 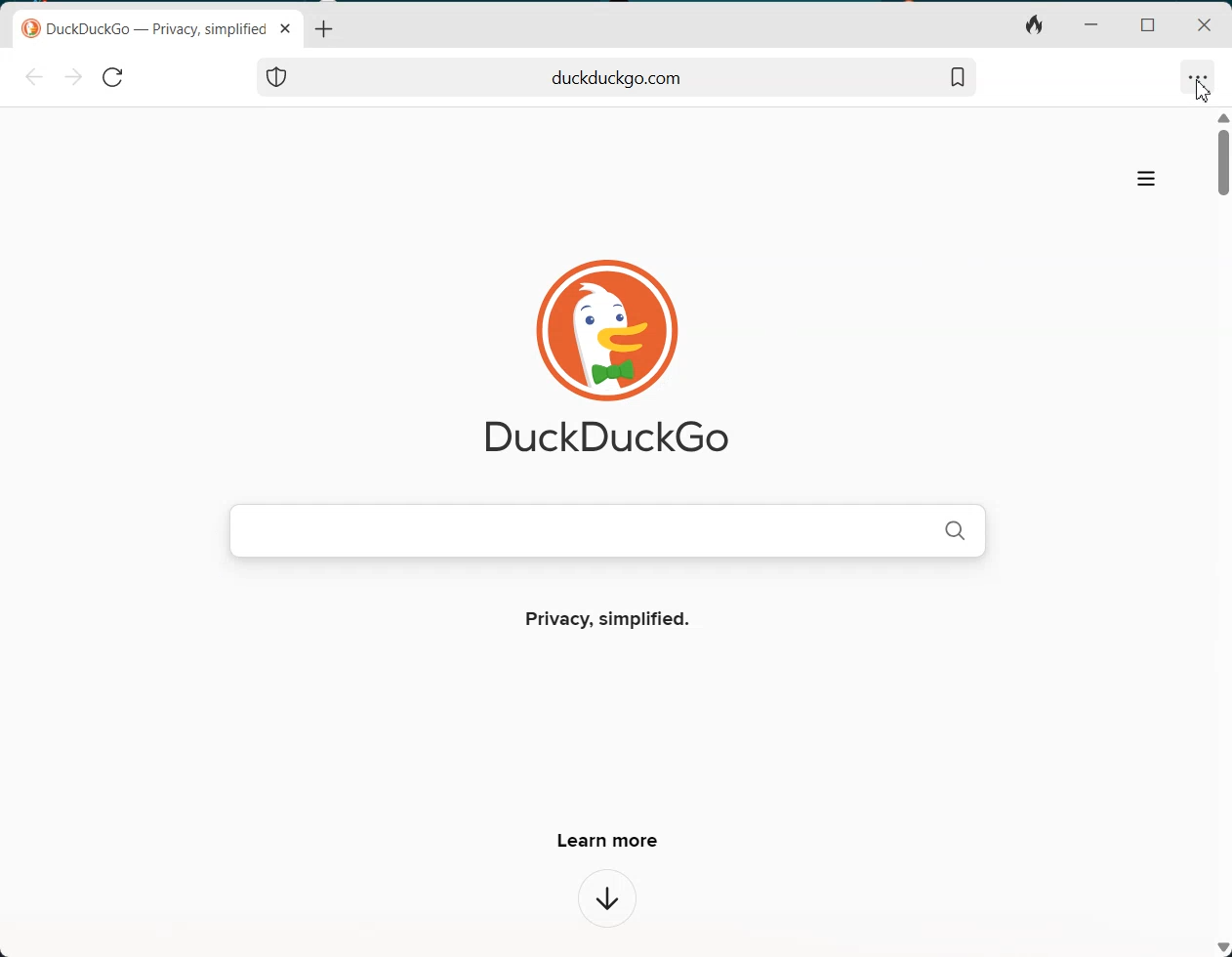 What do you see at coordinates (277, 77) in the screenshot?
I see `Protection Shield ` at bounding box center [277, 77].